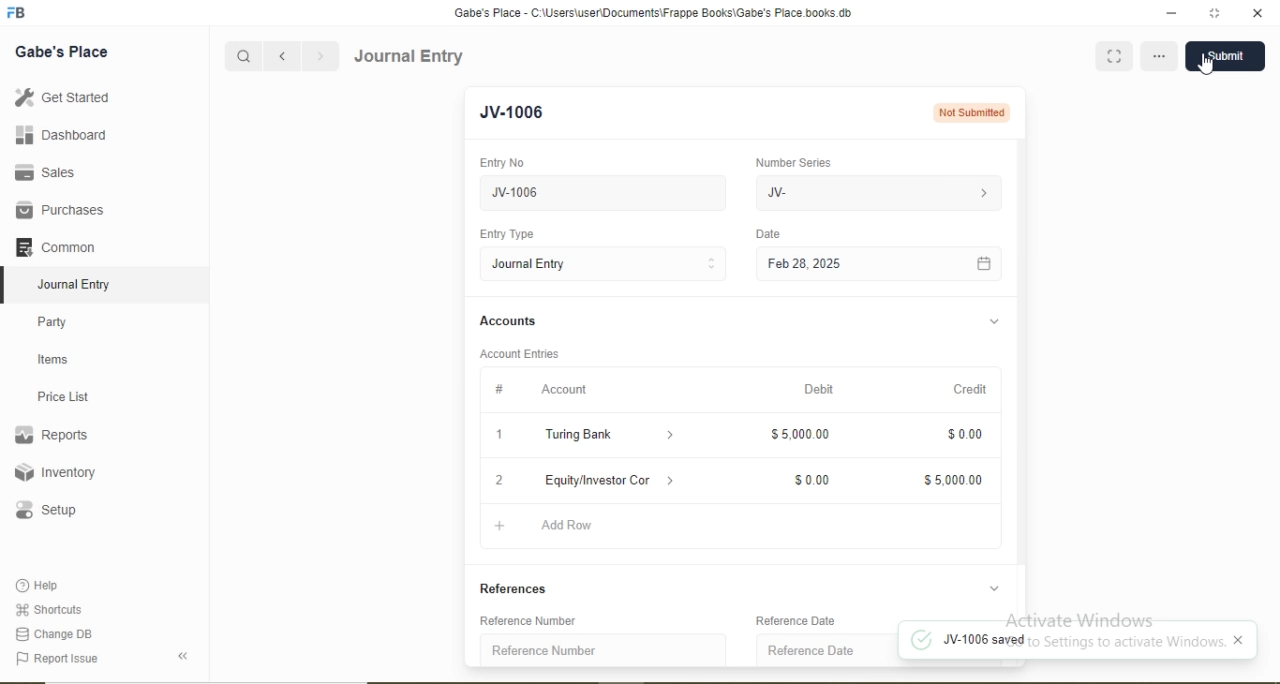  I want to click on #, so click(500, 388).